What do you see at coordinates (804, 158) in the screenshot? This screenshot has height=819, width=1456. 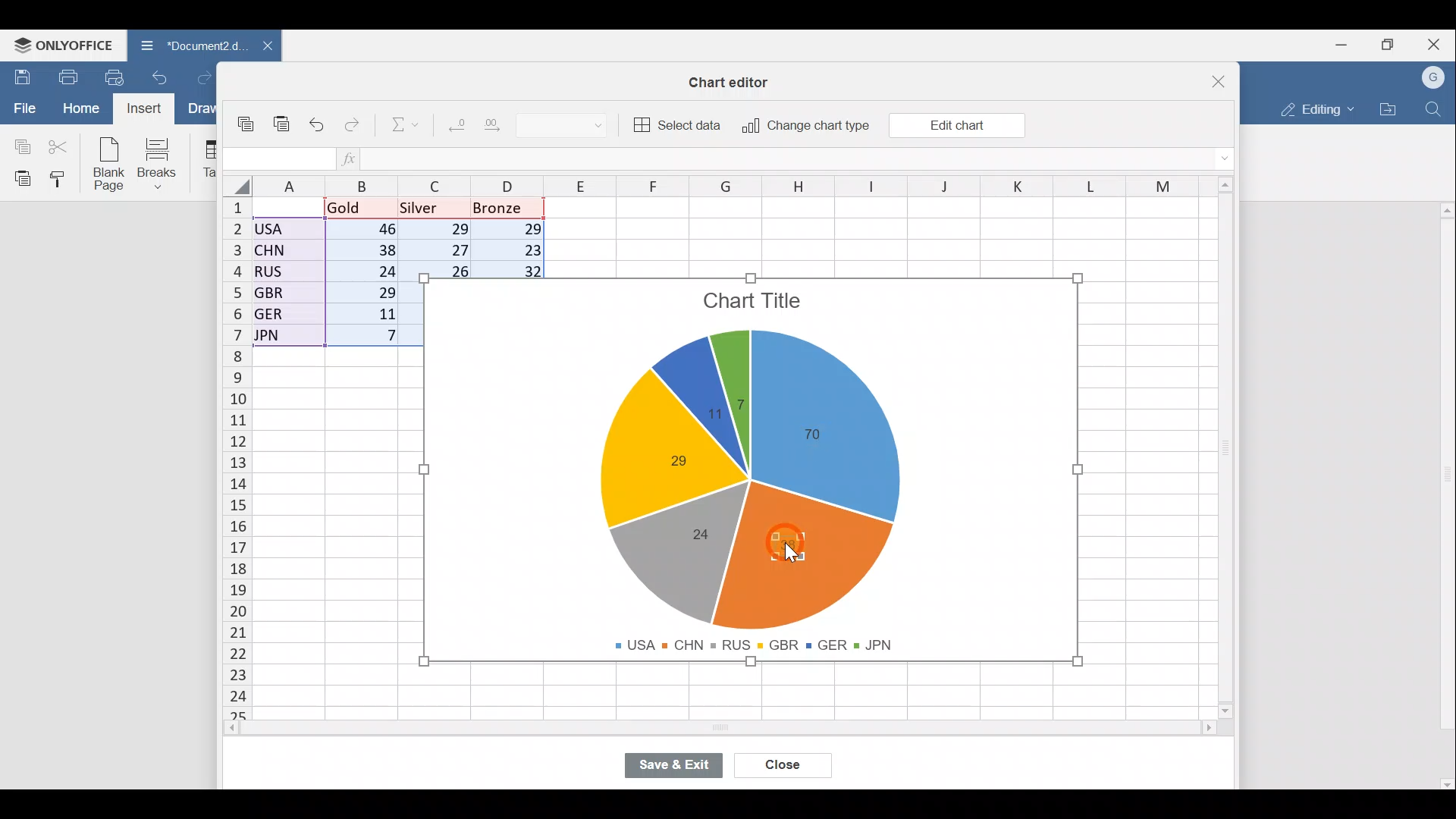 I see `Formula bar` at bounding box center [804, 158].